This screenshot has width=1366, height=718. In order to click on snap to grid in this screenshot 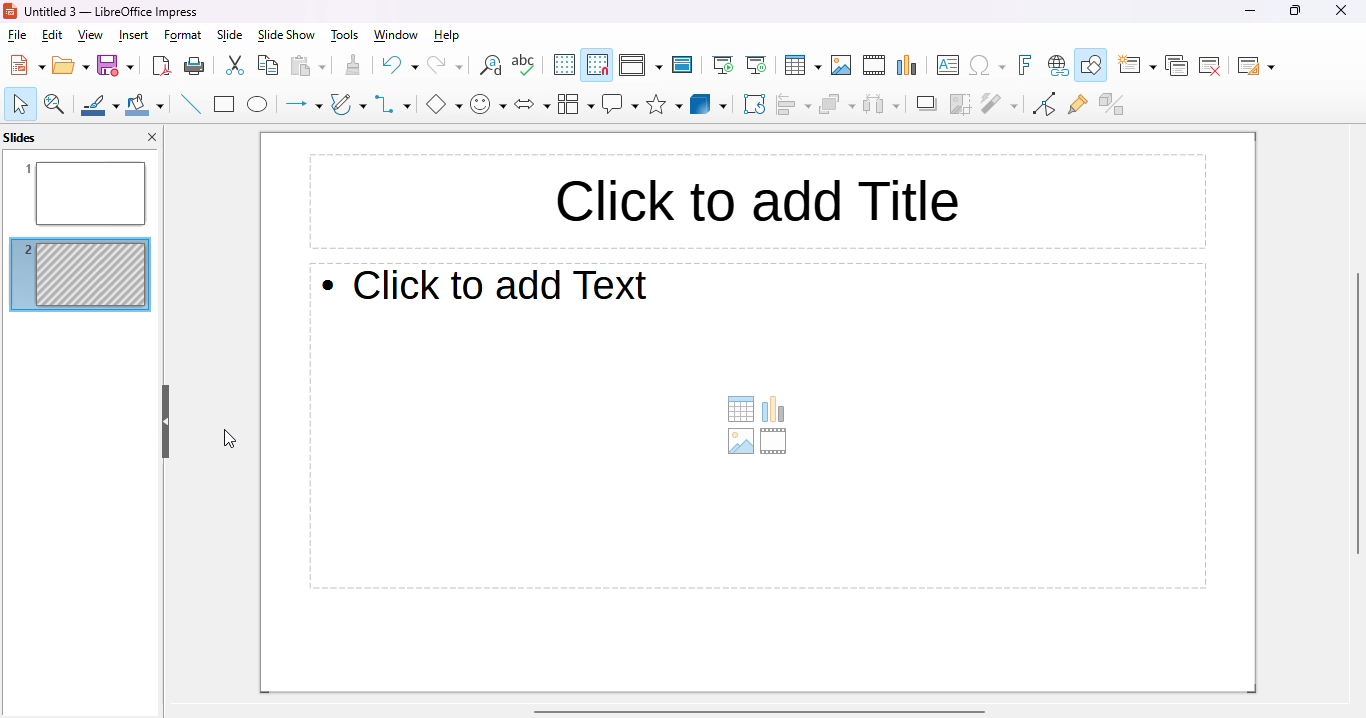, I will do `click(597, 65)`.